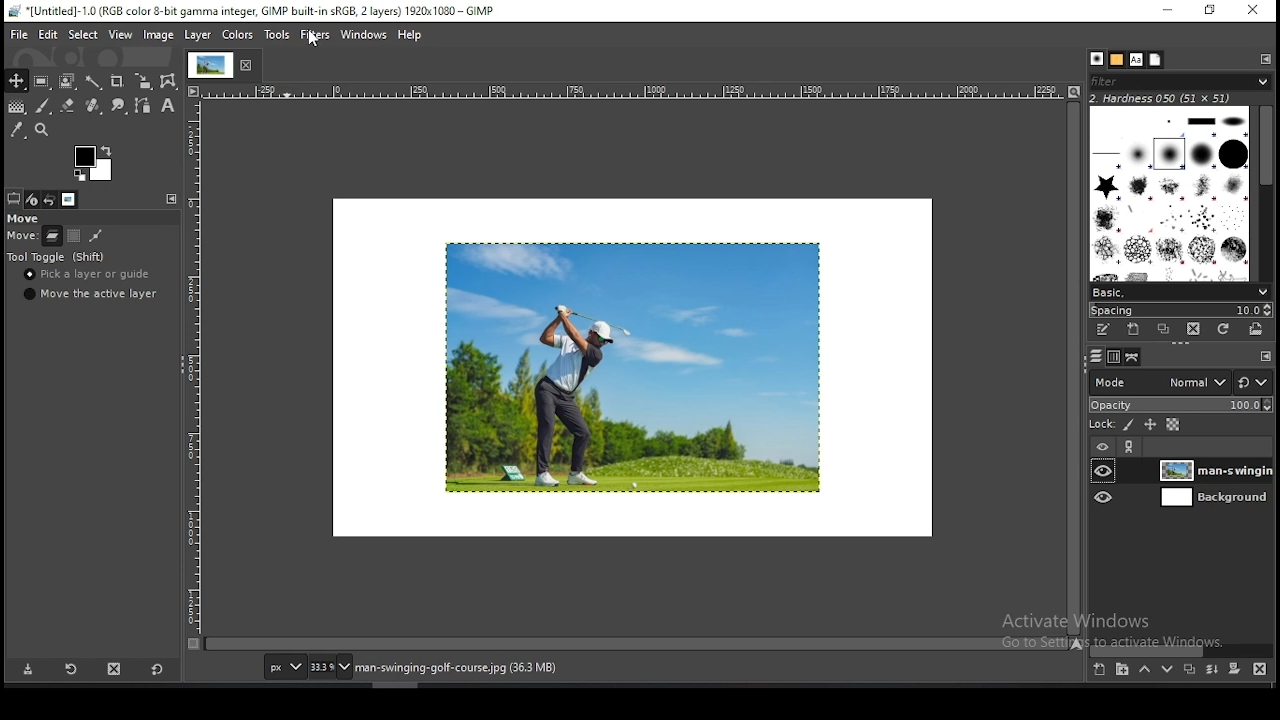  I want to click on tools, so click(275, 35).